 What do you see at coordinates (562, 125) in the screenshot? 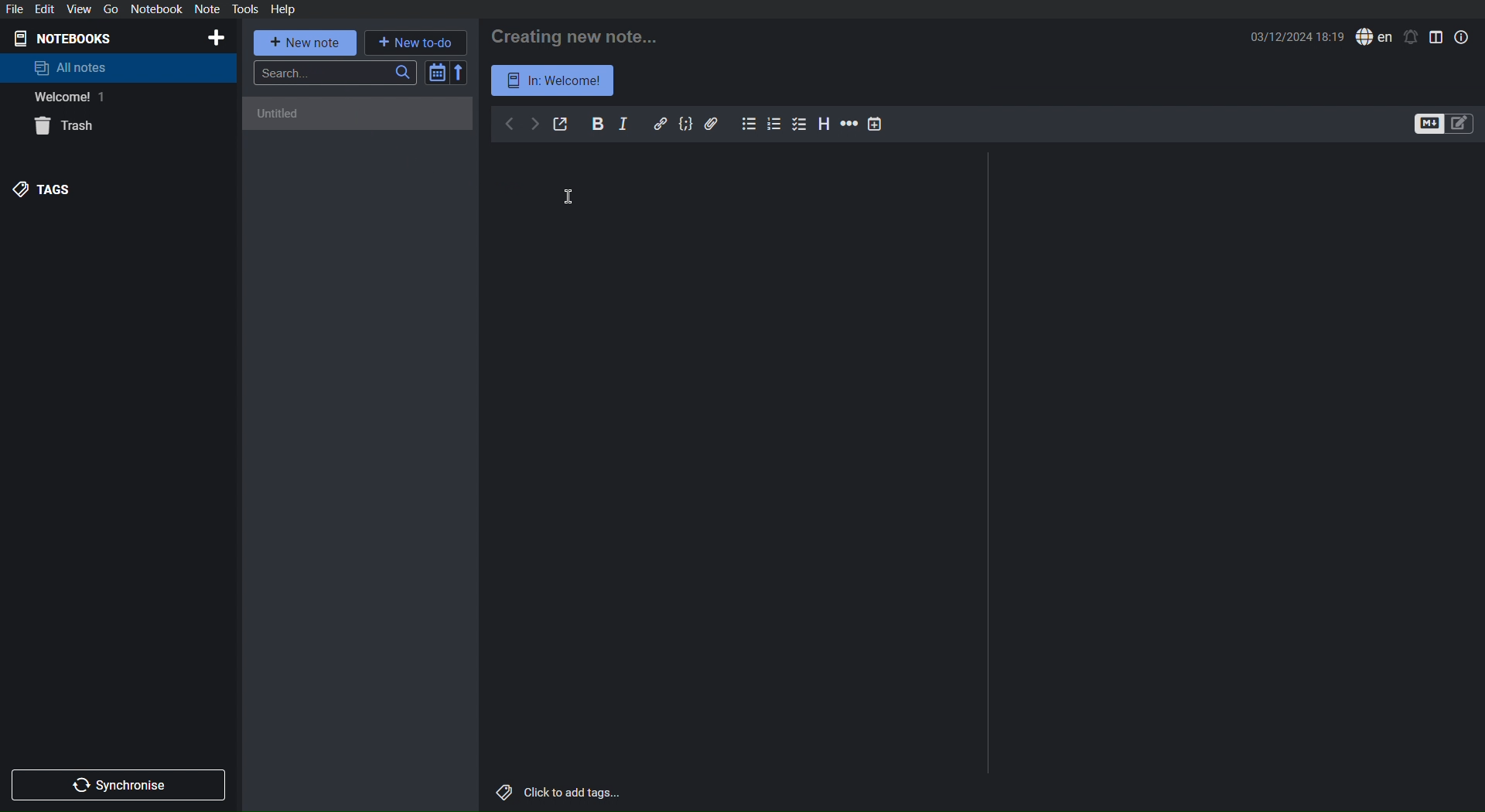
I see `Toggle external editing` at bounding box center [562, 125].